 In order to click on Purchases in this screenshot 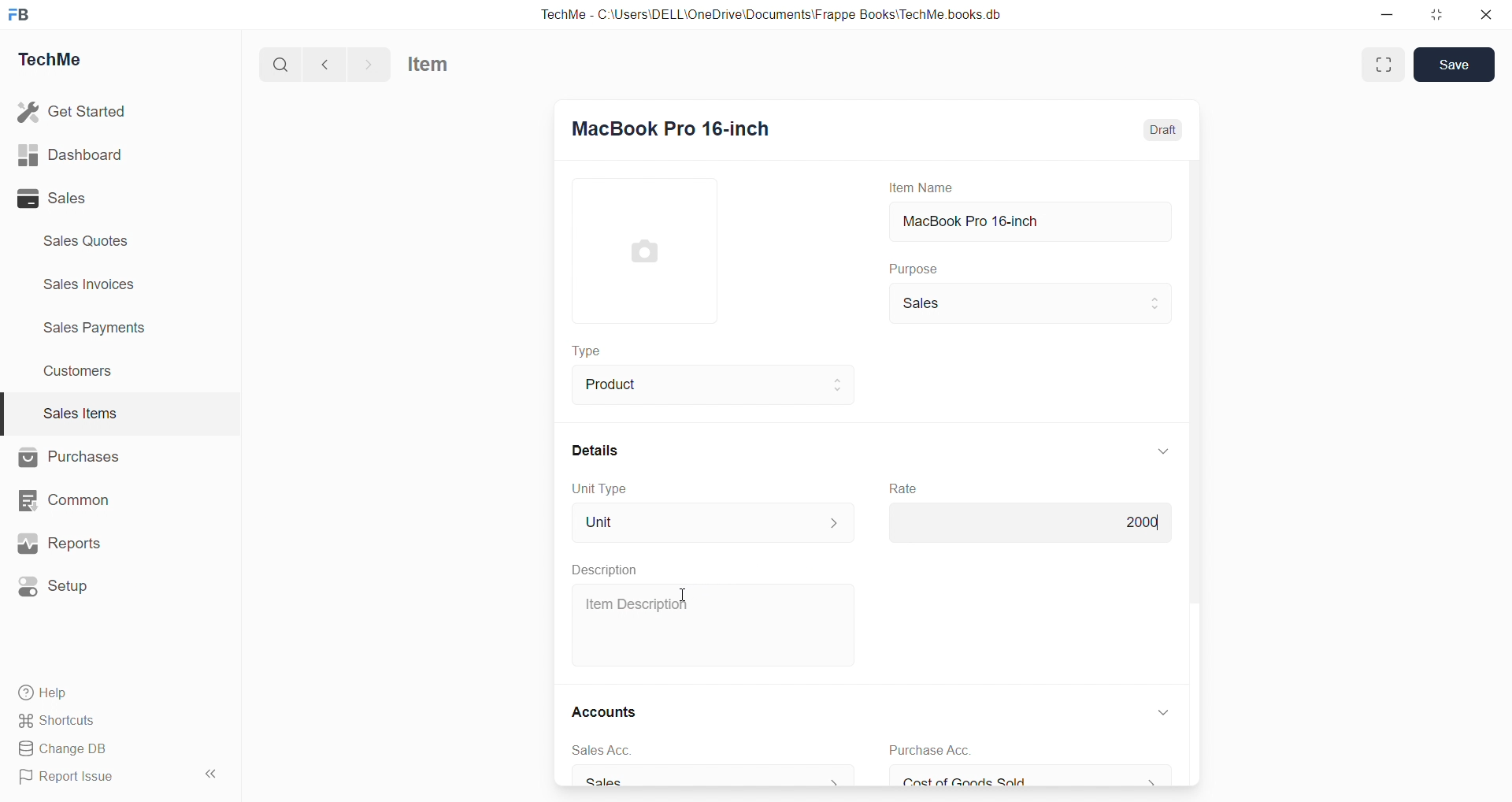, I will do `click(70, 458)`.